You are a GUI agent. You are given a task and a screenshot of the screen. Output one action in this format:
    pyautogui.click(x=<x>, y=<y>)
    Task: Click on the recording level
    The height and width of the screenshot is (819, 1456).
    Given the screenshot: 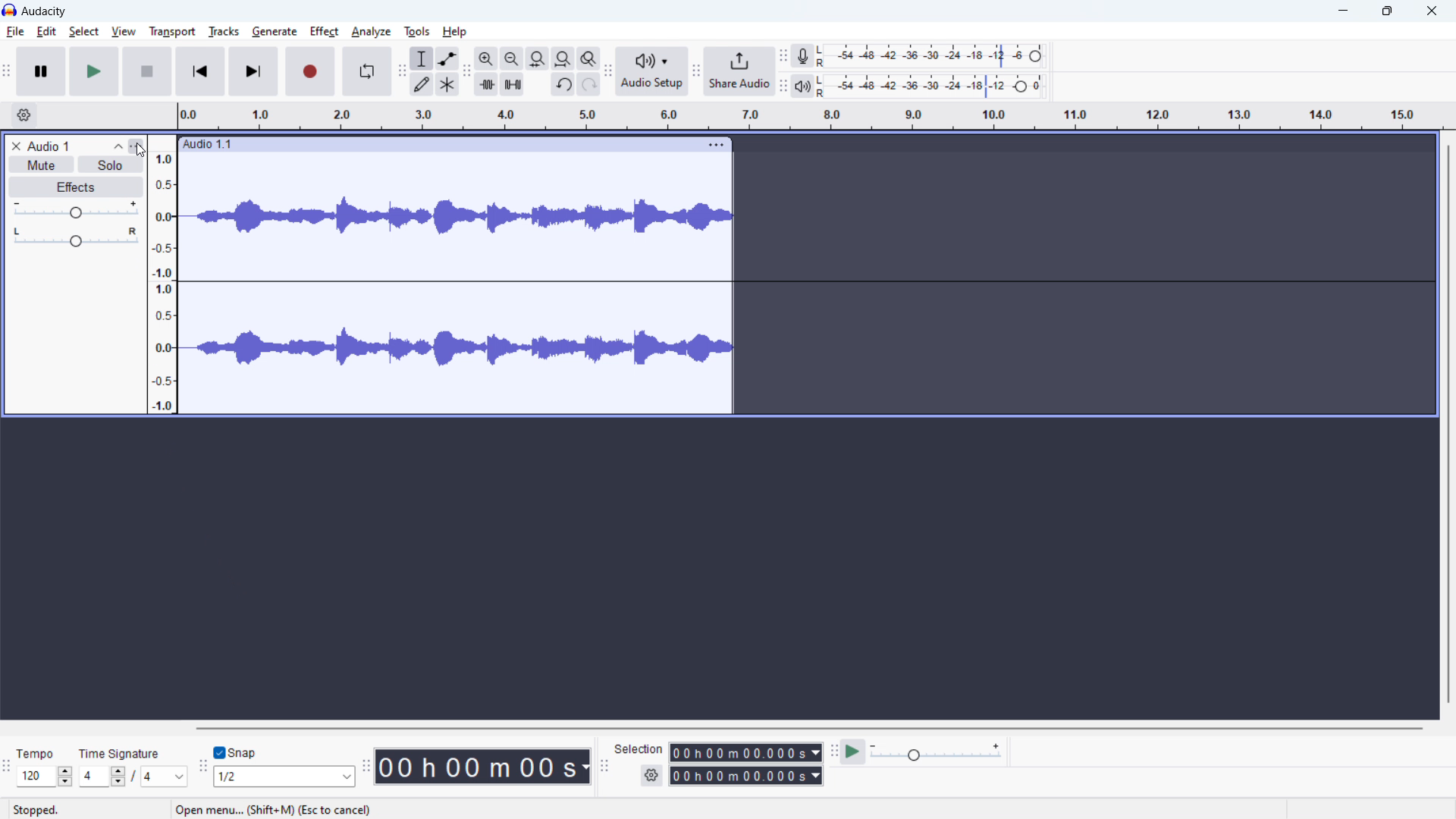 What is the action you would take?
    pyautogui.click(x=934, y=56)
    